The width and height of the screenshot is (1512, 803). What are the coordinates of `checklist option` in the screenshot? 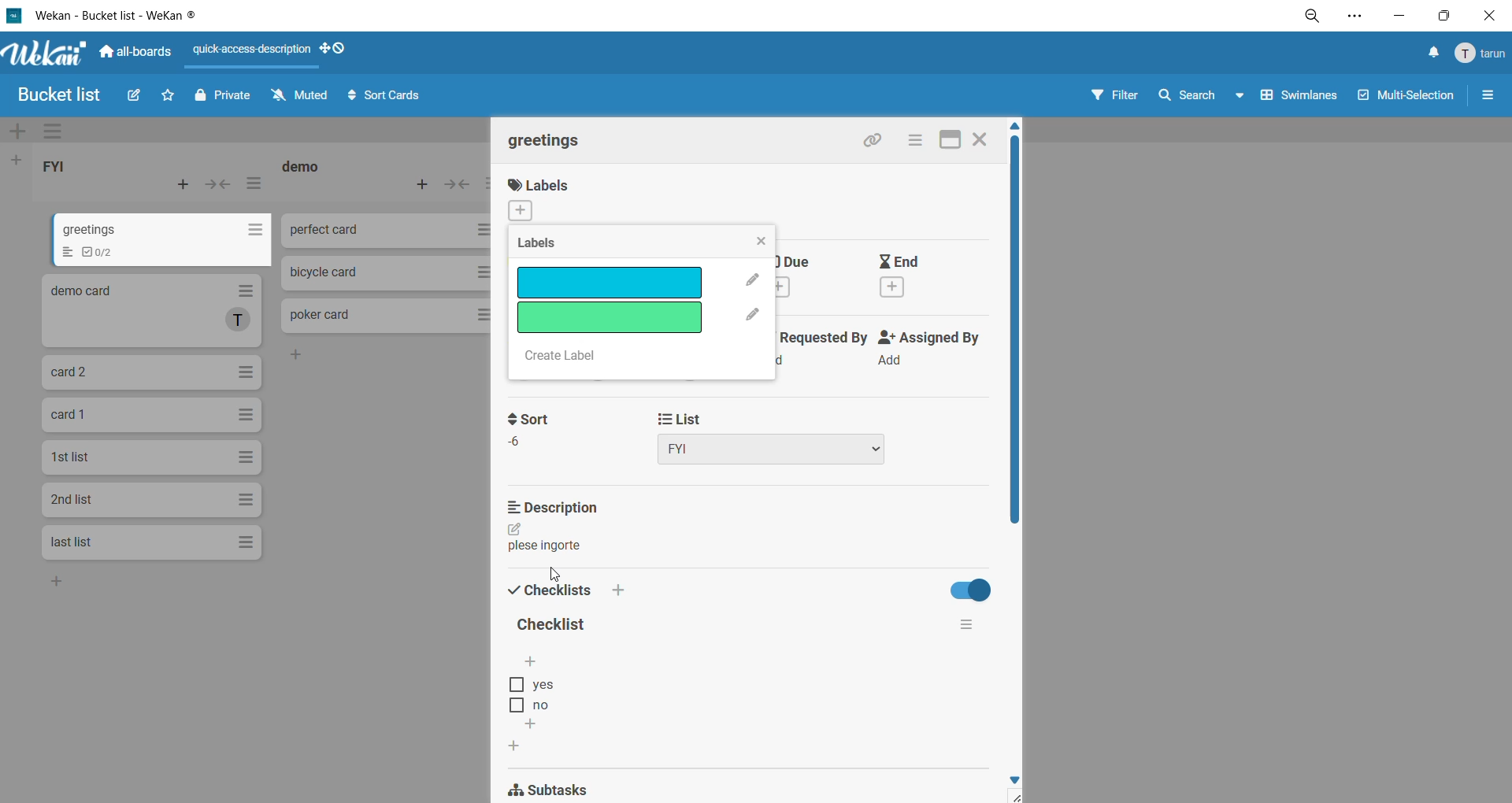 It's located at (532, 686).